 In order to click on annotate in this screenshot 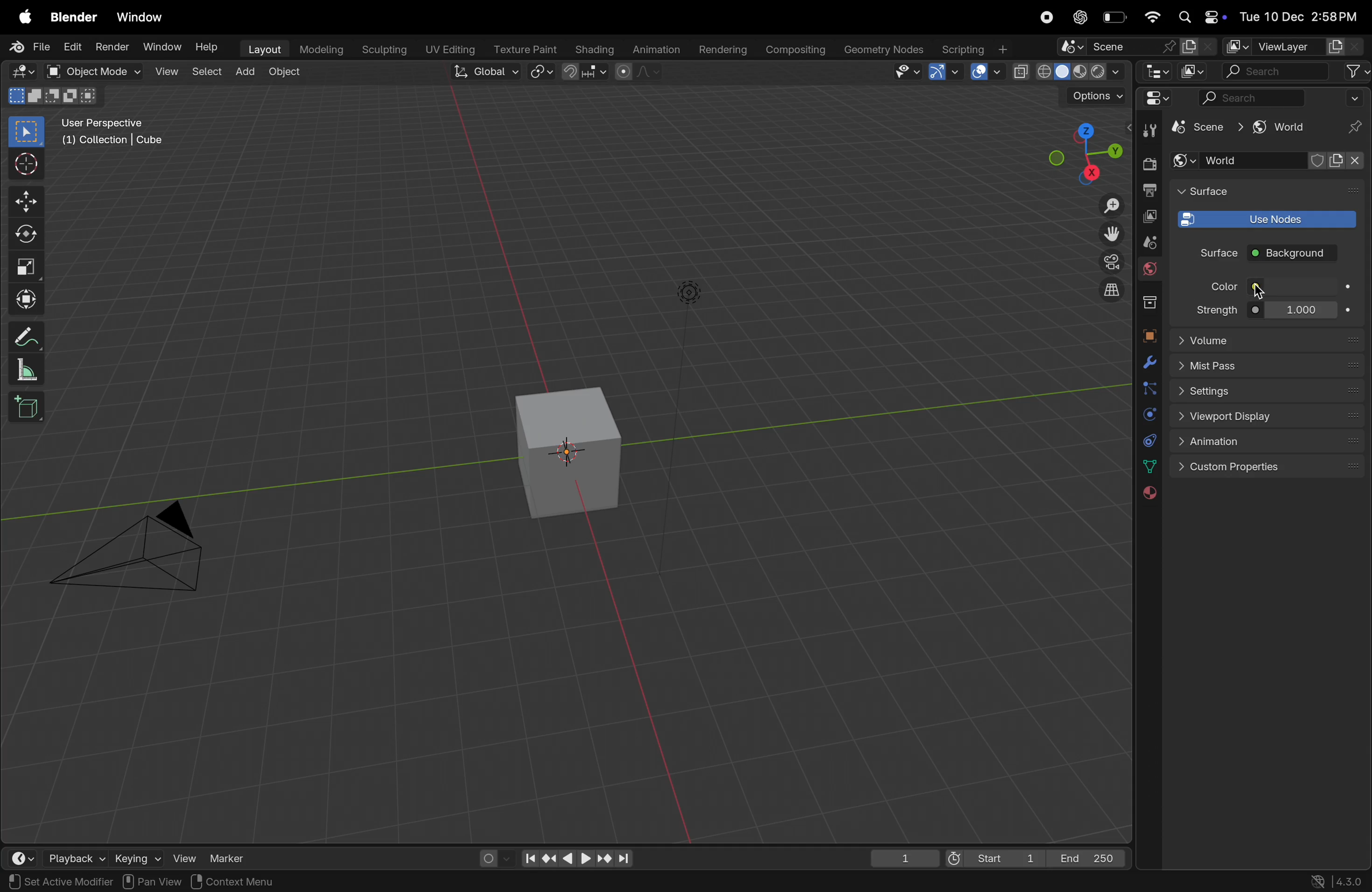, I will do `click(25, 334)`.